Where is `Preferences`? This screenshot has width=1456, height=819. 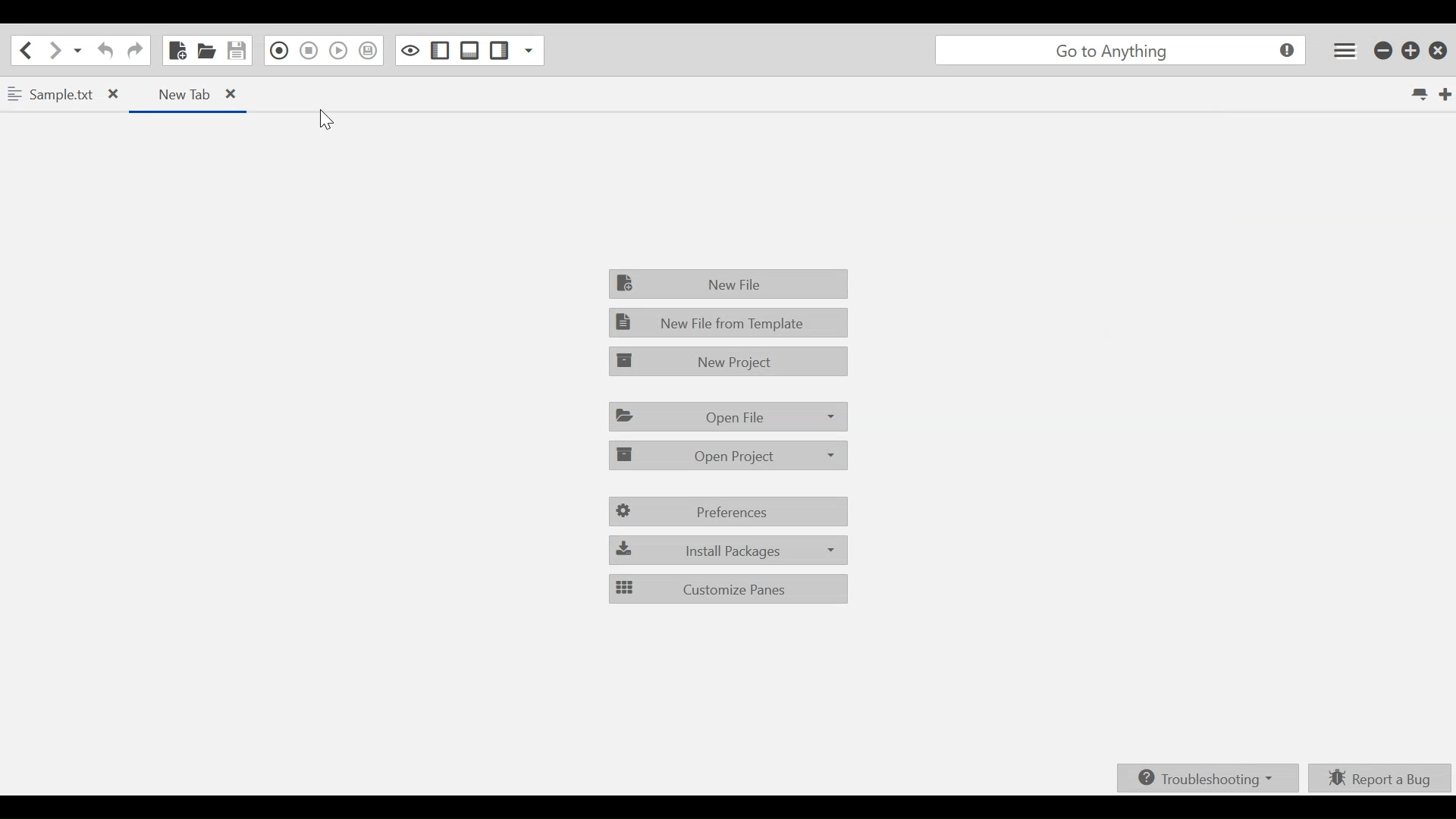 Preferences is located at coordinates (726, 513).